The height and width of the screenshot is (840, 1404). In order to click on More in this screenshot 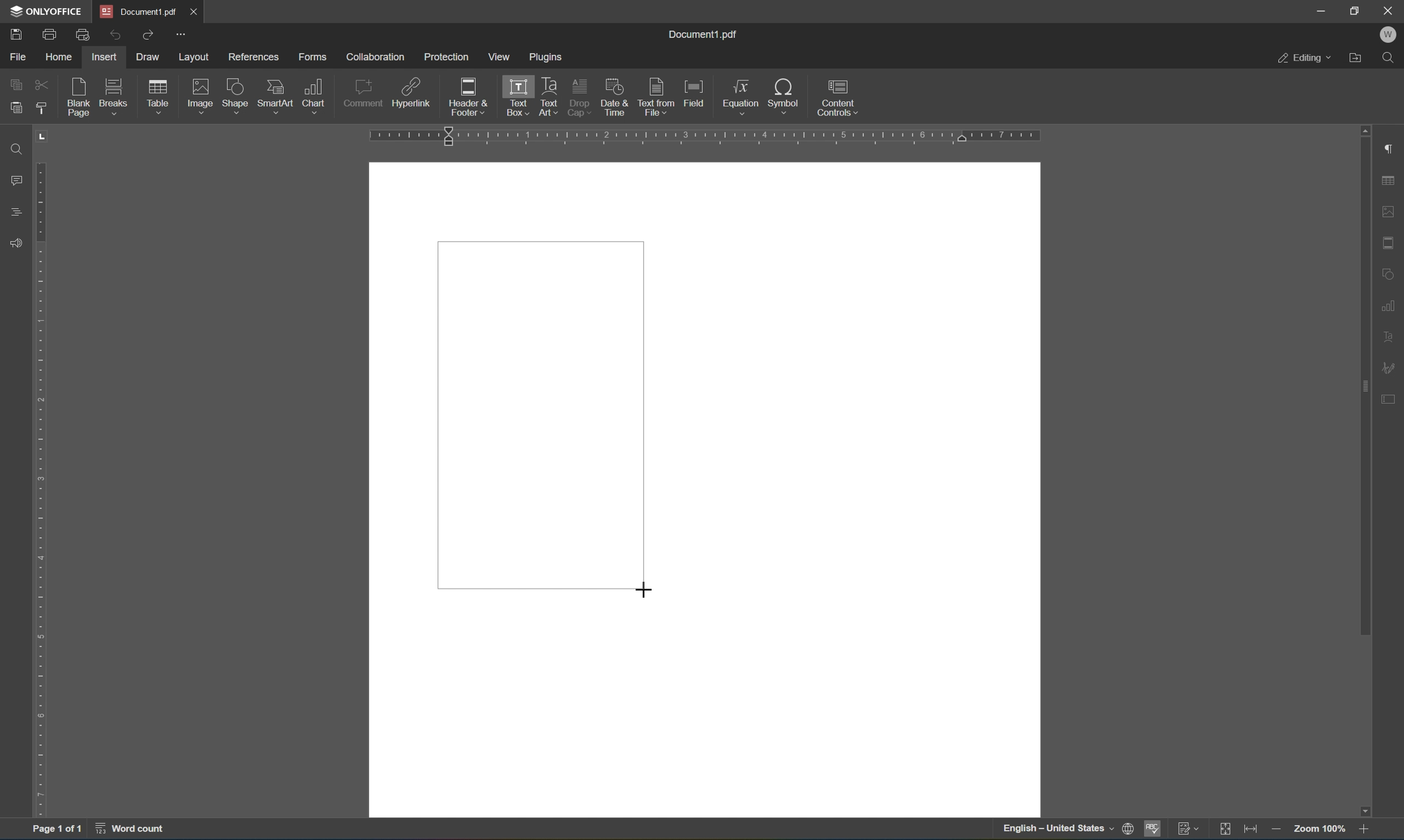, I will do `click(181, 33)`.